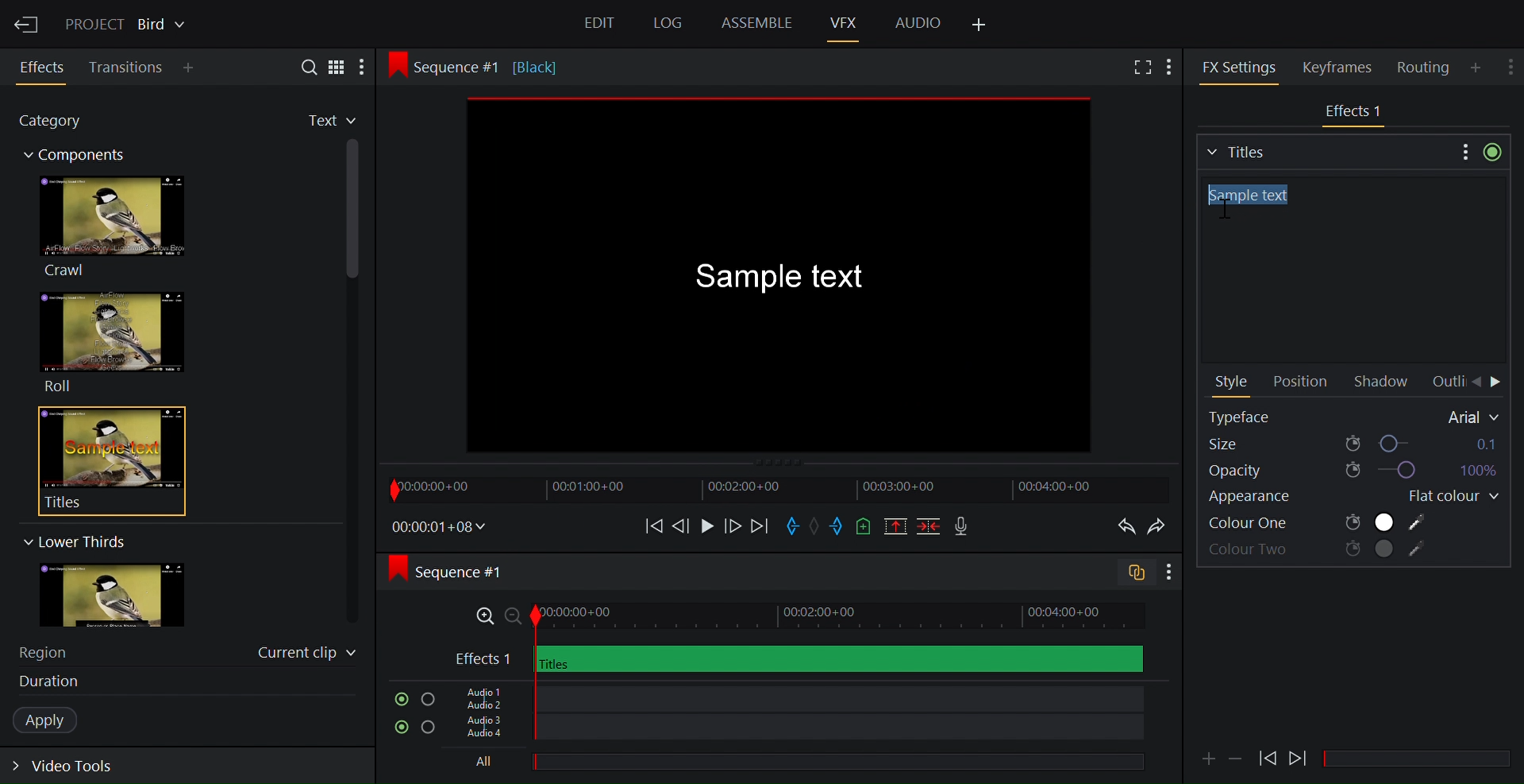  Describe the element at coordinates (368, 67) in the screenshot. I see `More` at that location.